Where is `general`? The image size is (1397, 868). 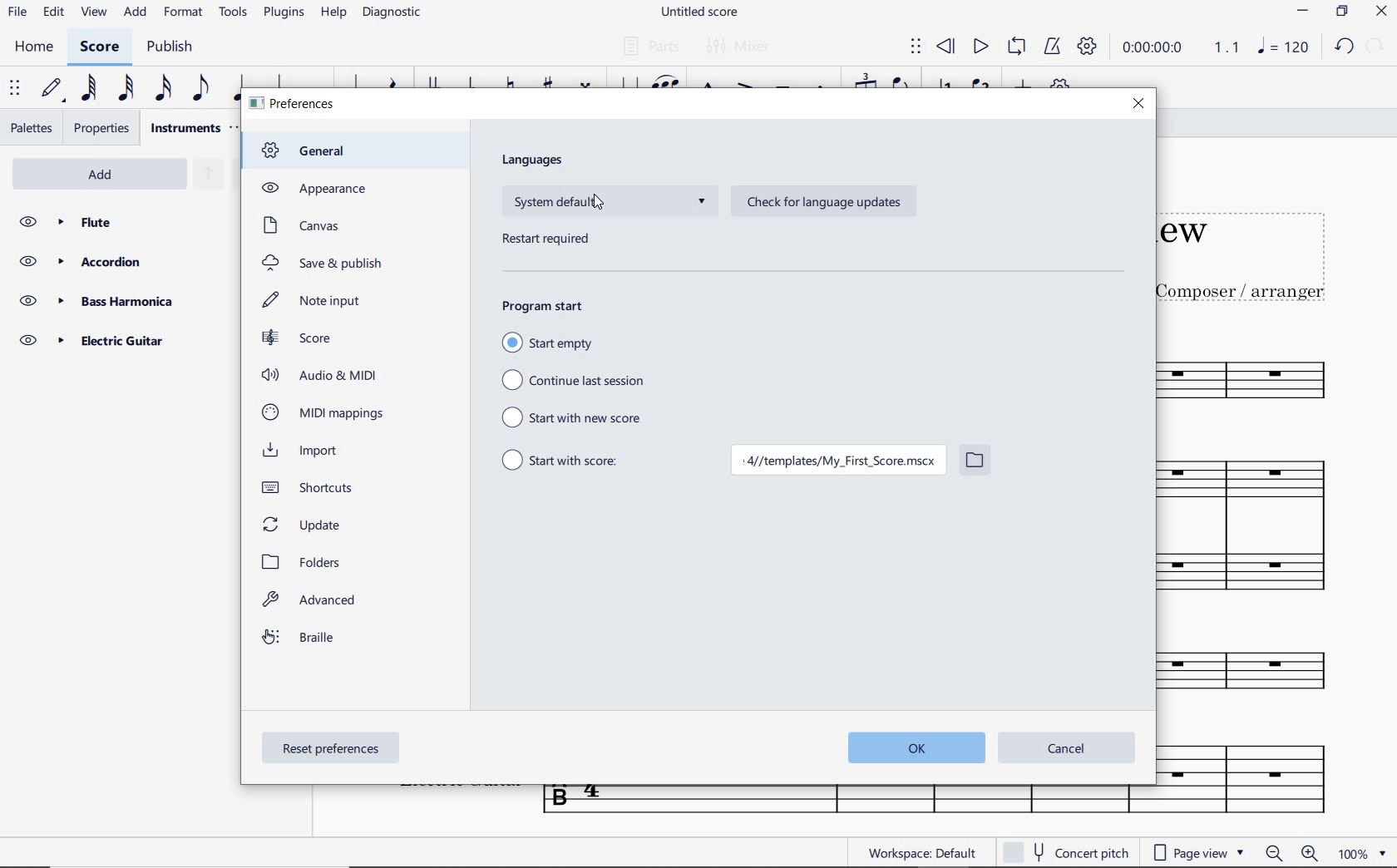 general is located at coordinates (313, 152).